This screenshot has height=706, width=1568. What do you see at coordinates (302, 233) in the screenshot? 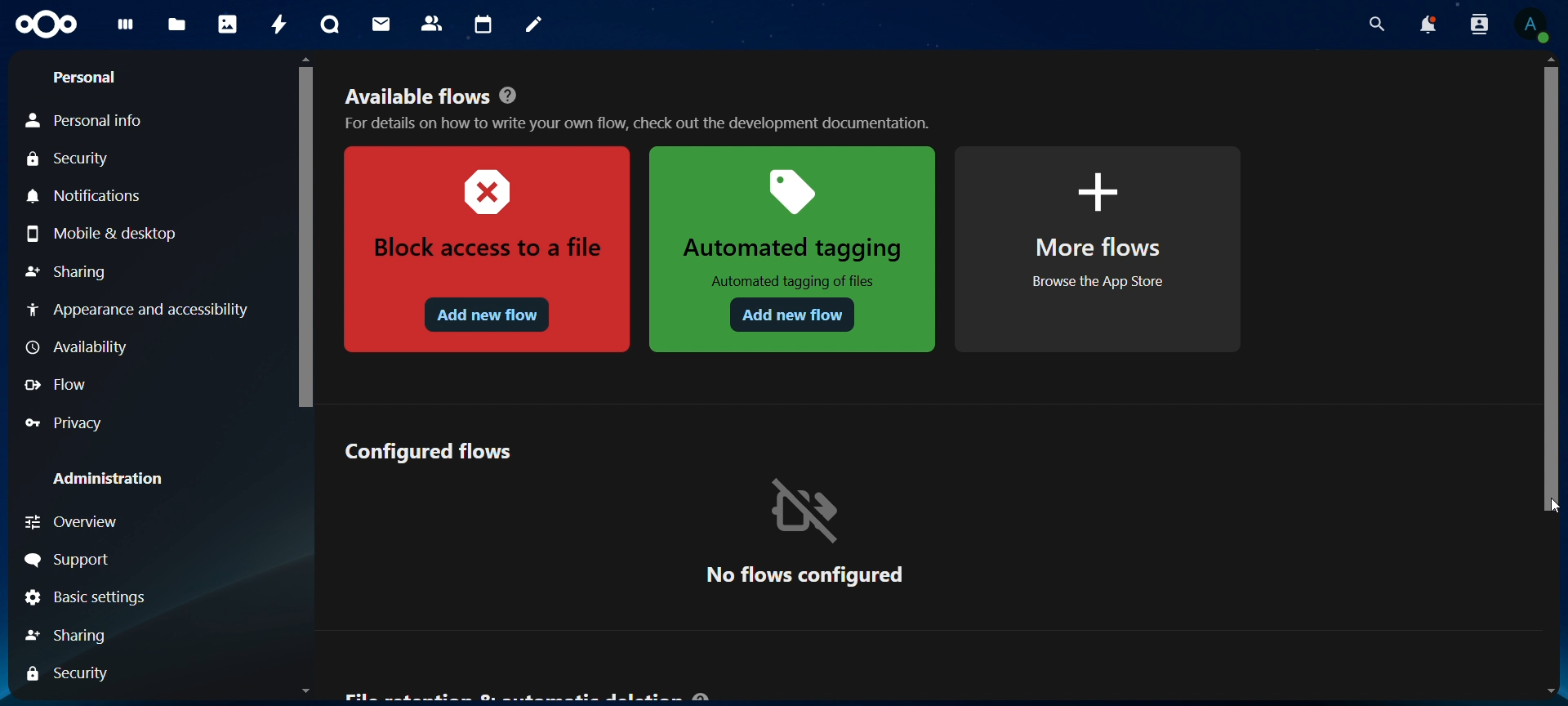
I see `scrollbar` at bounding box center [302, 233].